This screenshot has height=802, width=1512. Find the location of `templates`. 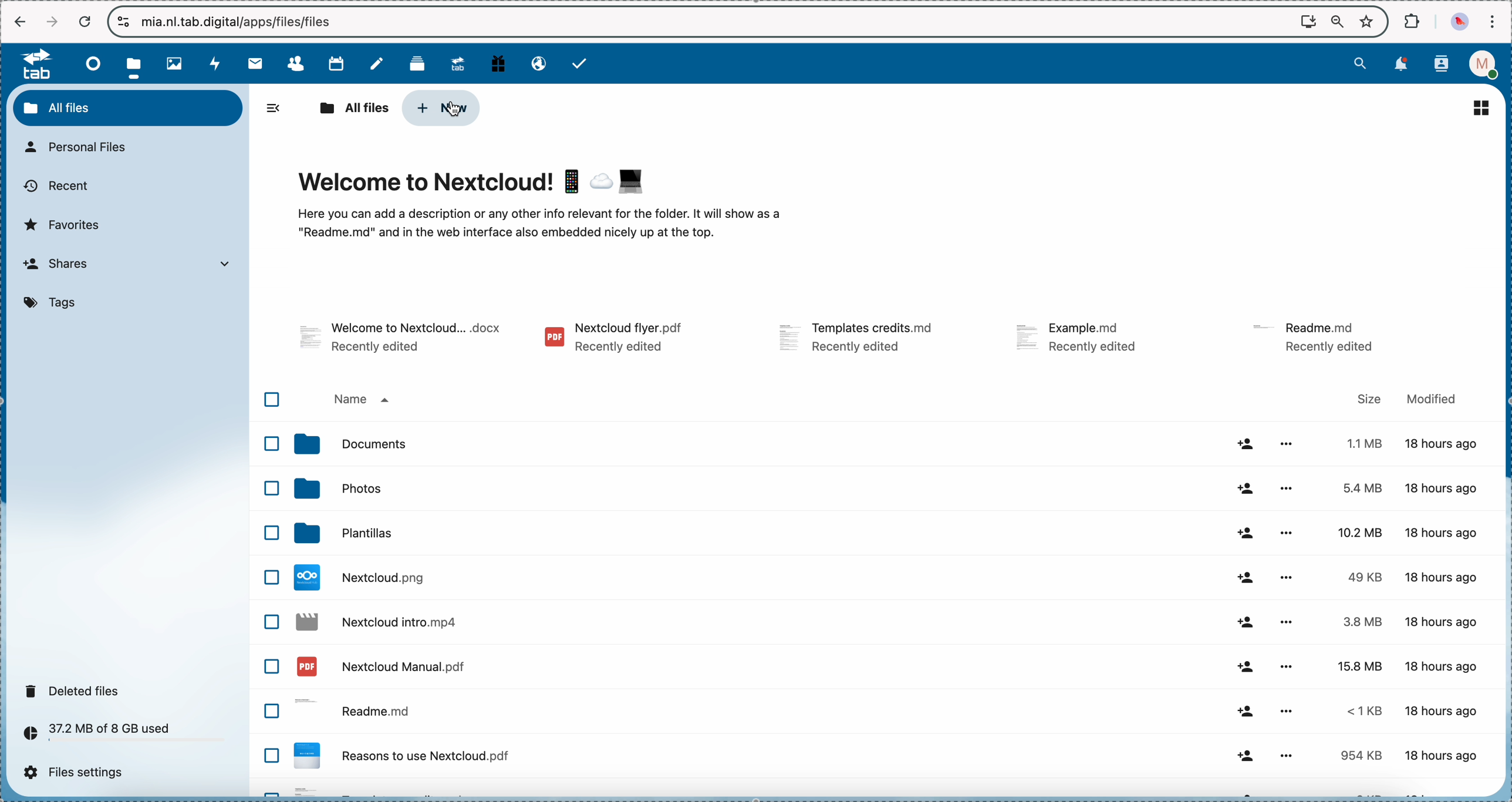

templates is located at coordinates (752, 532).